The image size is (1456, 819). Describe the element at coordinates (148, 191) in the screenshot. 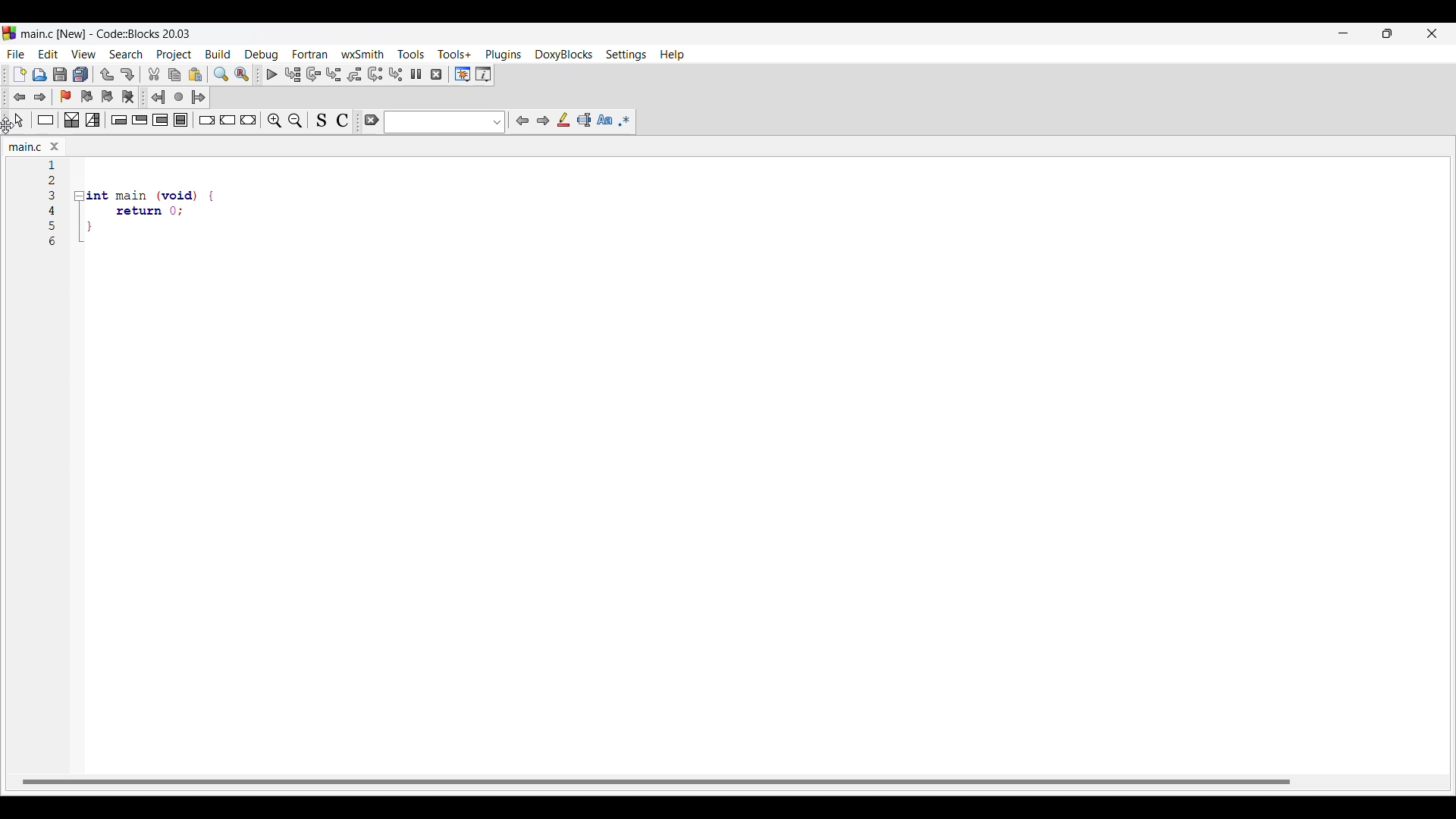

I see `` at that location.